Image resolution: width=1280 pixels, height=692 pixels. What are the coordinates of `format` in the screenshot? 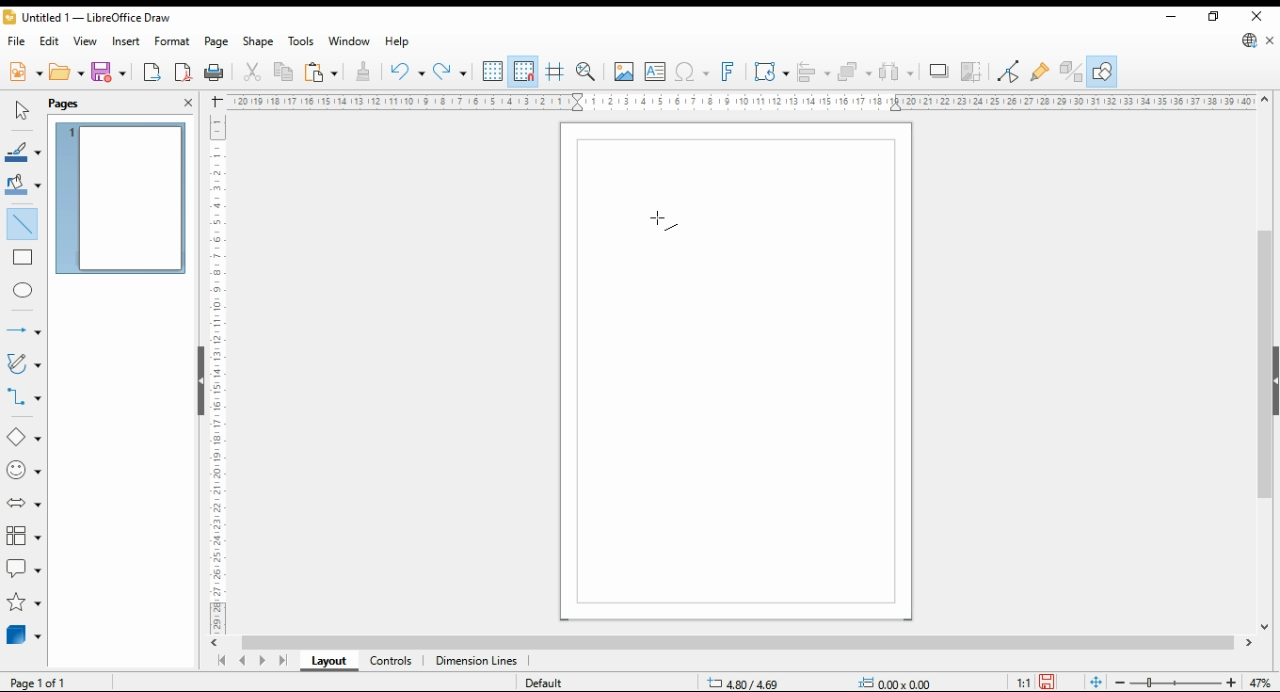 It's located at (173, 41).